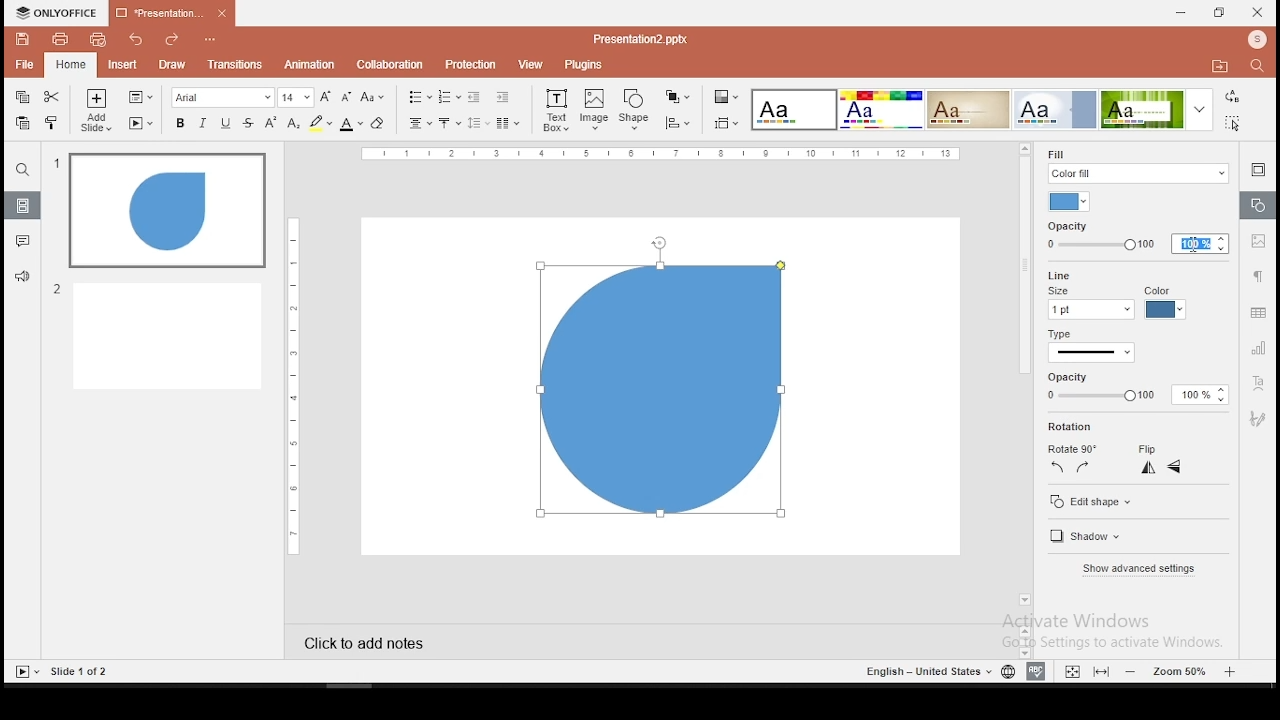 This screenshot has height=720, width=1280. What do you see at coordinates (1192, 246) in the screenshot?
I see `mouse pointer` at bounding box center [1192, 246].